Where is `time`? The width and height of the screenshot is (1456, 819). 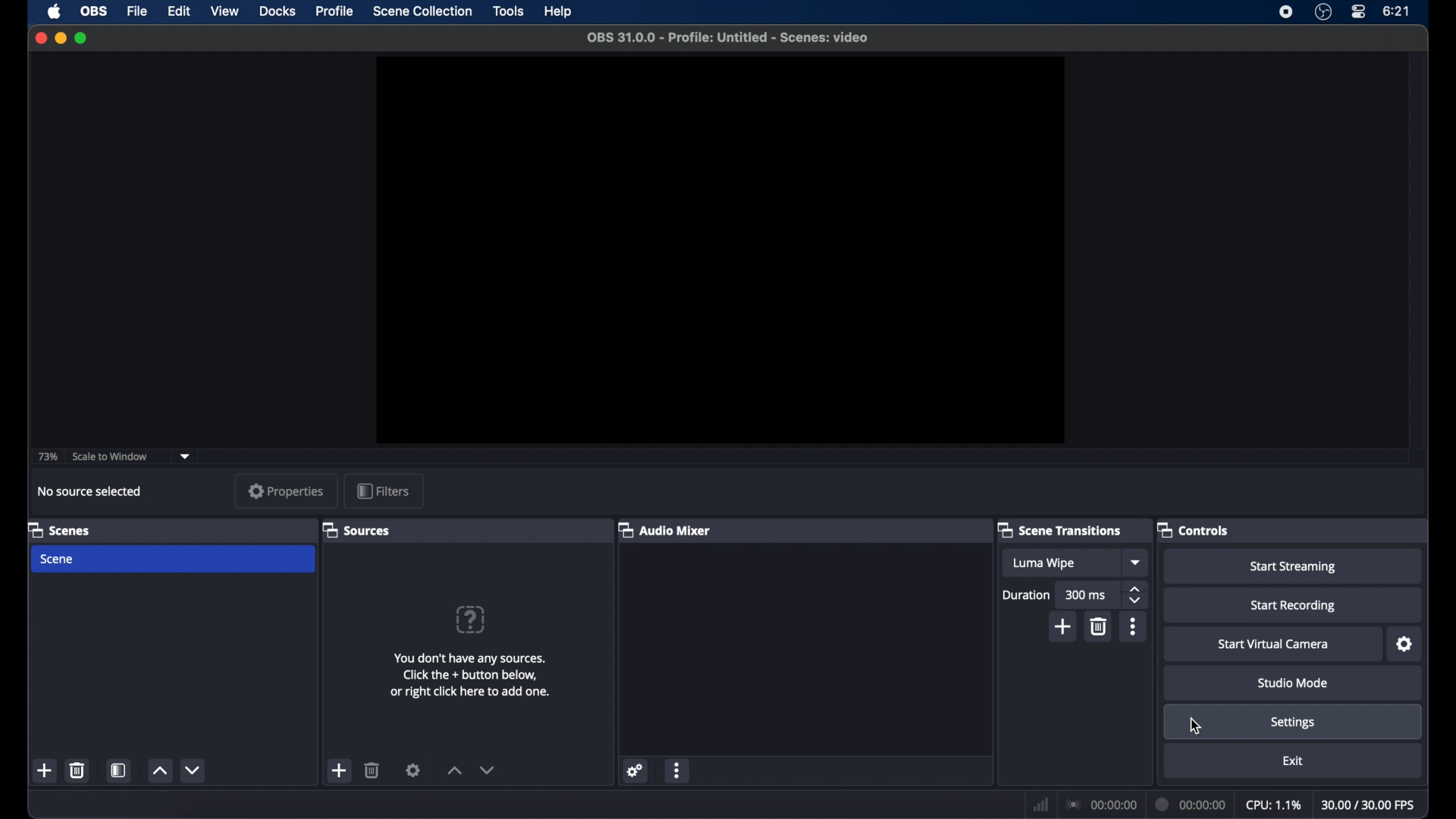 time is located at coordinates (1397, 11).